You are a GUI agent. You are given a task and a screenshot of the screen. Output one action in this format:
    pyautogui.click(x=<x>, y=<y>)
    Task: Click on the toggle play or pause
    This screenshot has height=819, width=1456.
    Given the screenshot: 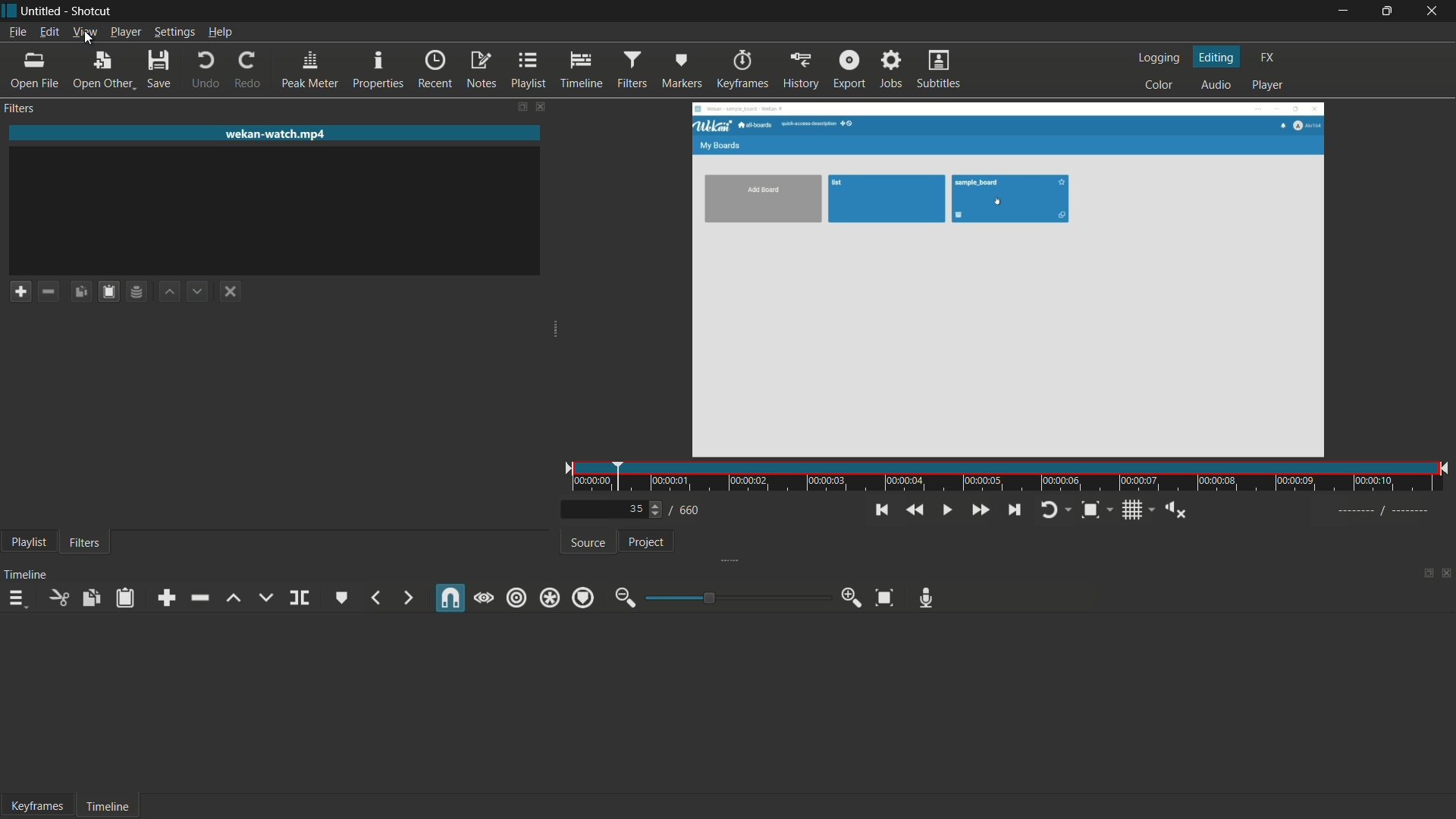 What is the action you would take?
    pyautogui.click(x=945, y=510)
    